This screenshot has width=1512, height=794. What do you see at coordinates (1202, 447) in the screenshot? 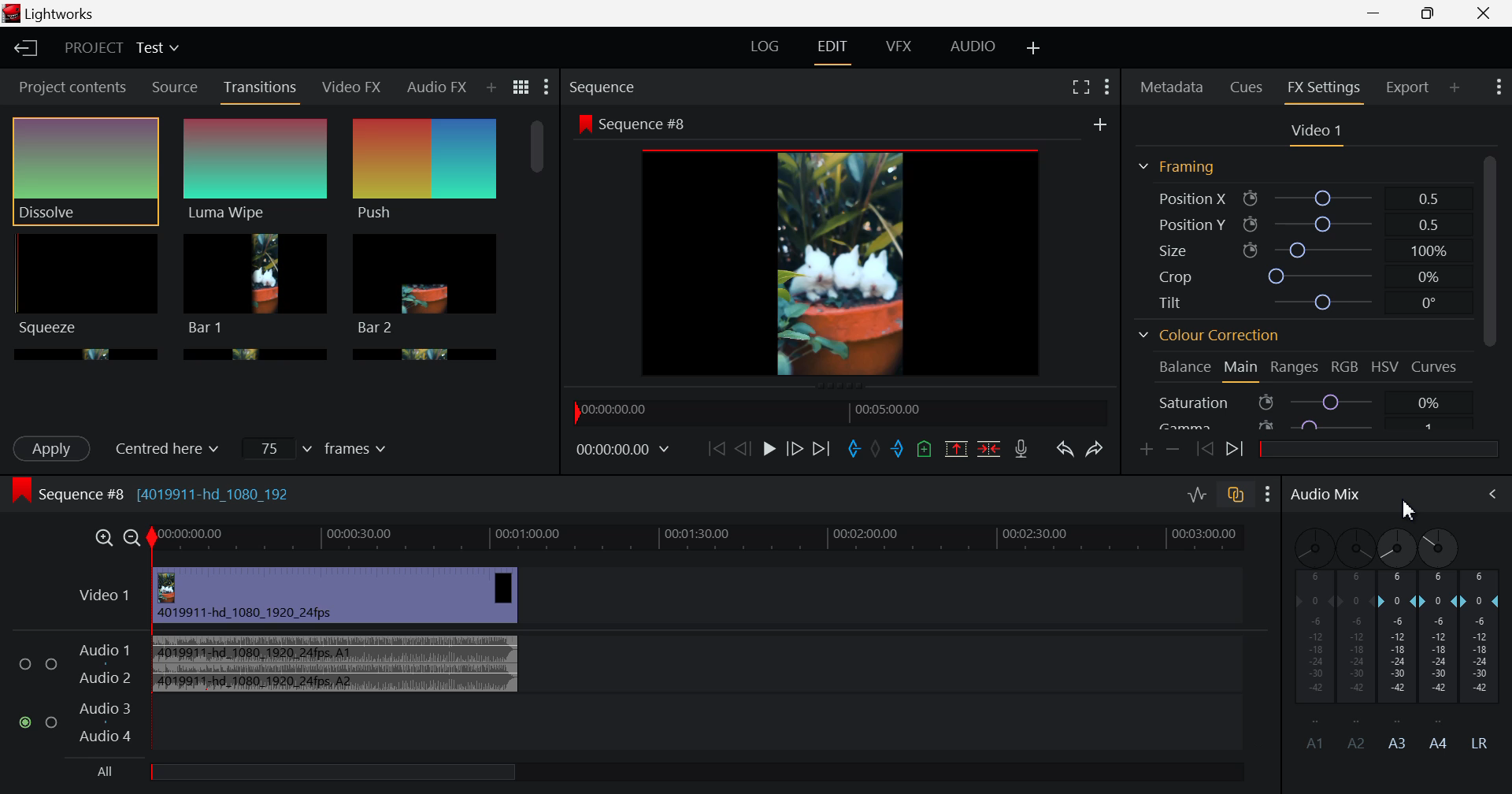
I see `Previous keyframe` at bounding box center [1202, 447].